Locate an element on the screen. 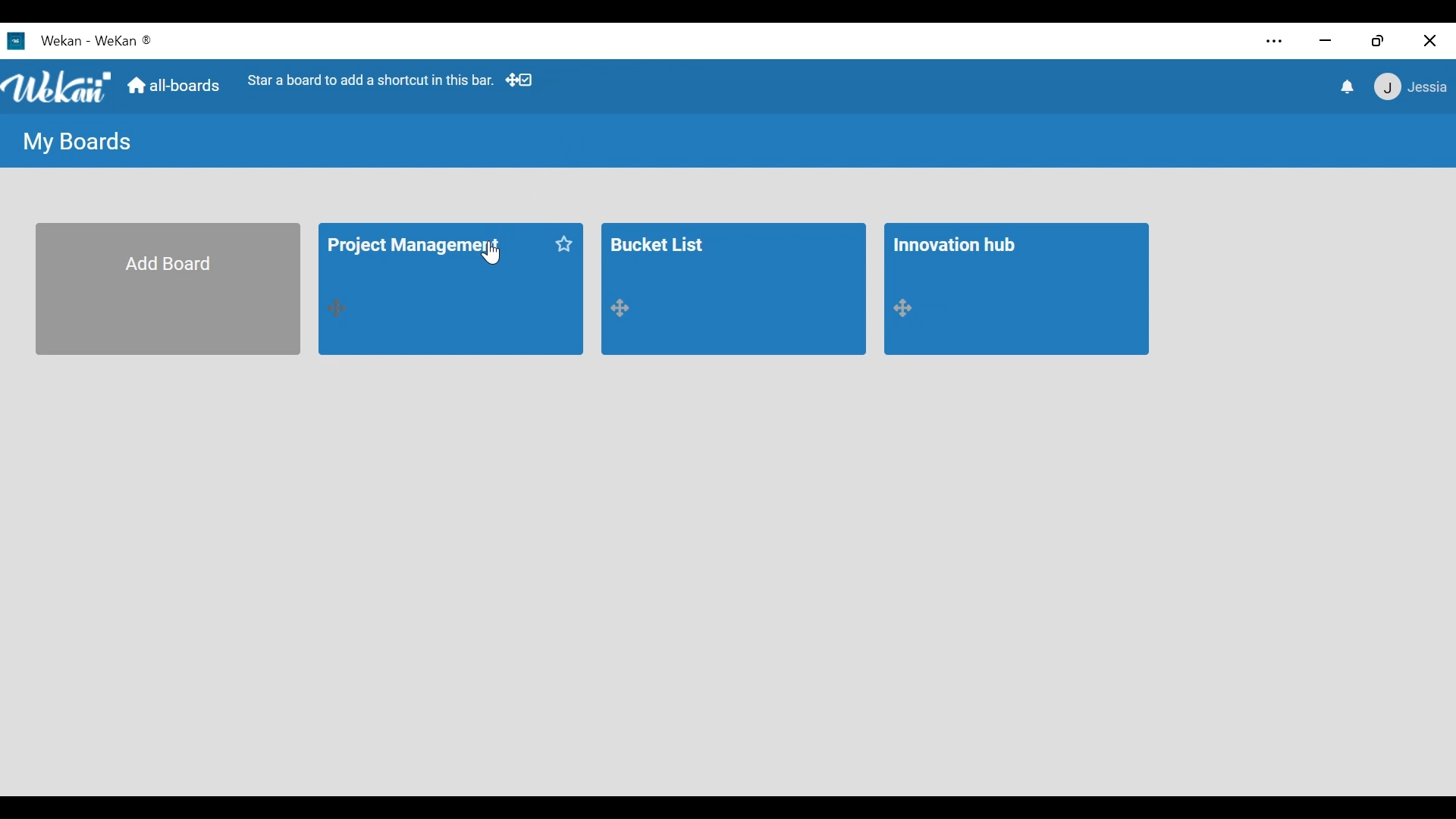 The height and width of the screenshot is (819, 1456). Restore is located at coordinates (1379, 41).